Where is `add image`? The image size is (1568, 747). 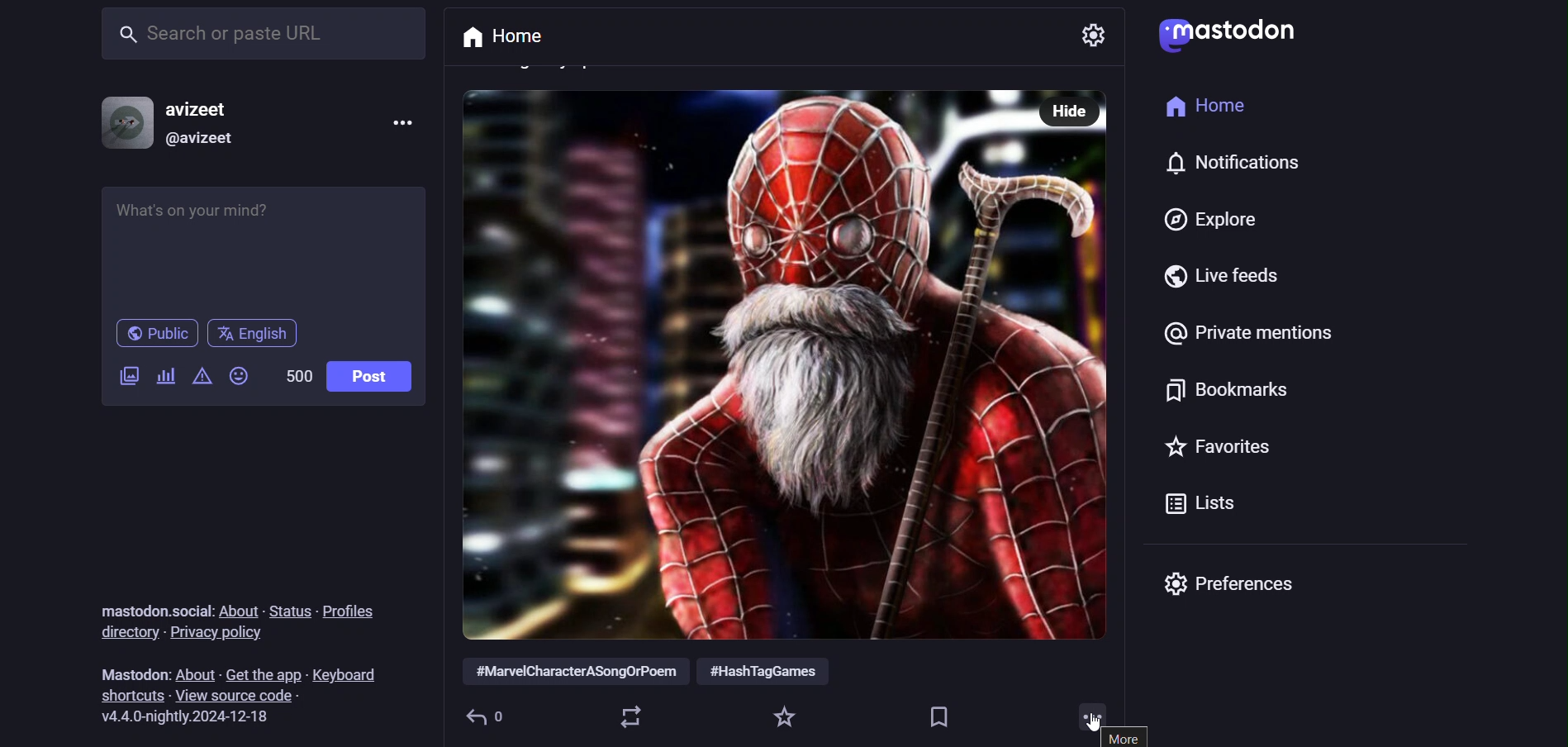 add image is located at coordinates (126, 378).